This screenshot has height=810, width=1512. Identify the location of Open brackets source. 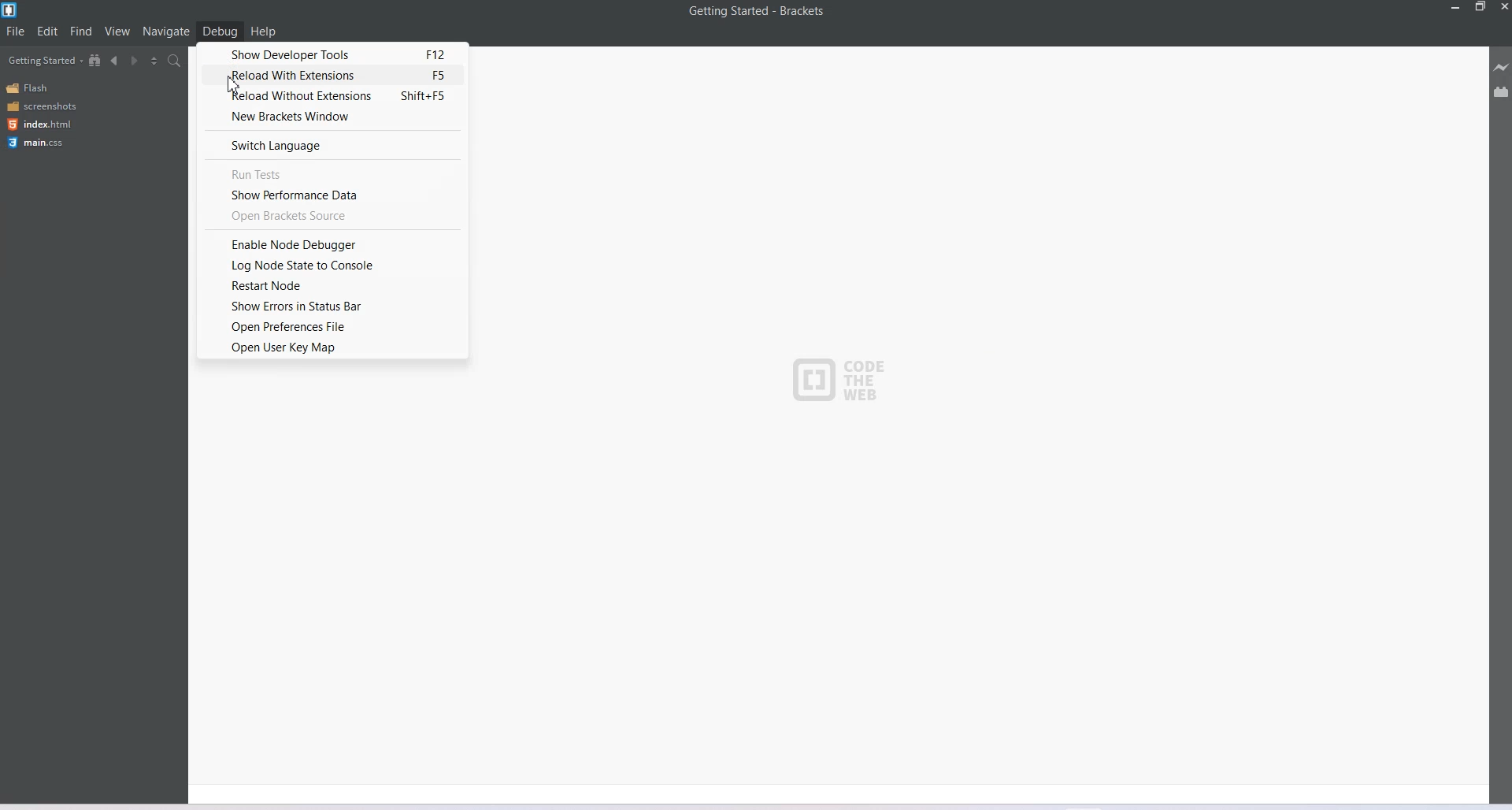
(331, 217).